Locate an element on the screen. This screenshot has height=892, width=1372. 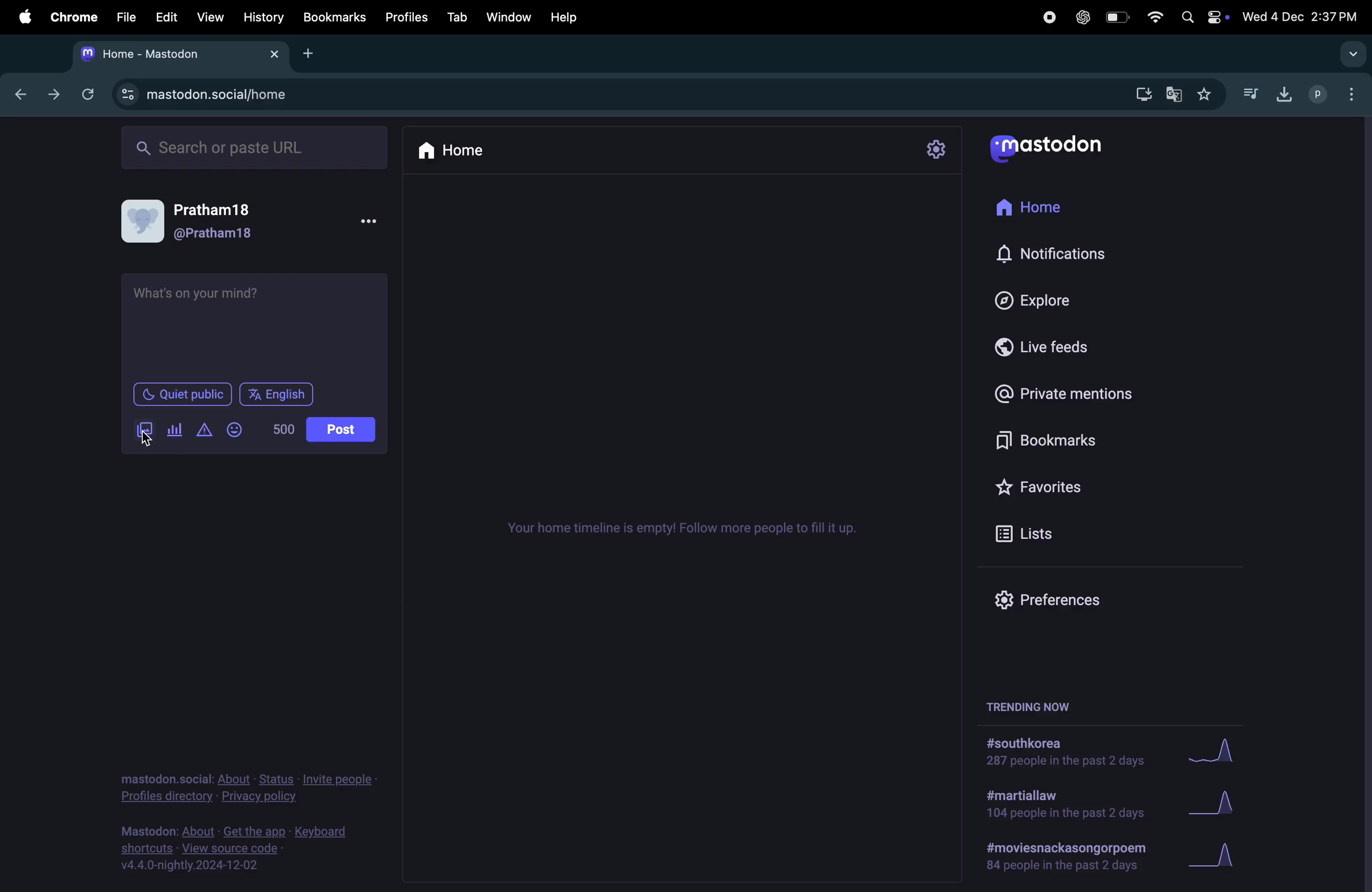
Quiet public is located at coordinates (182, 393).